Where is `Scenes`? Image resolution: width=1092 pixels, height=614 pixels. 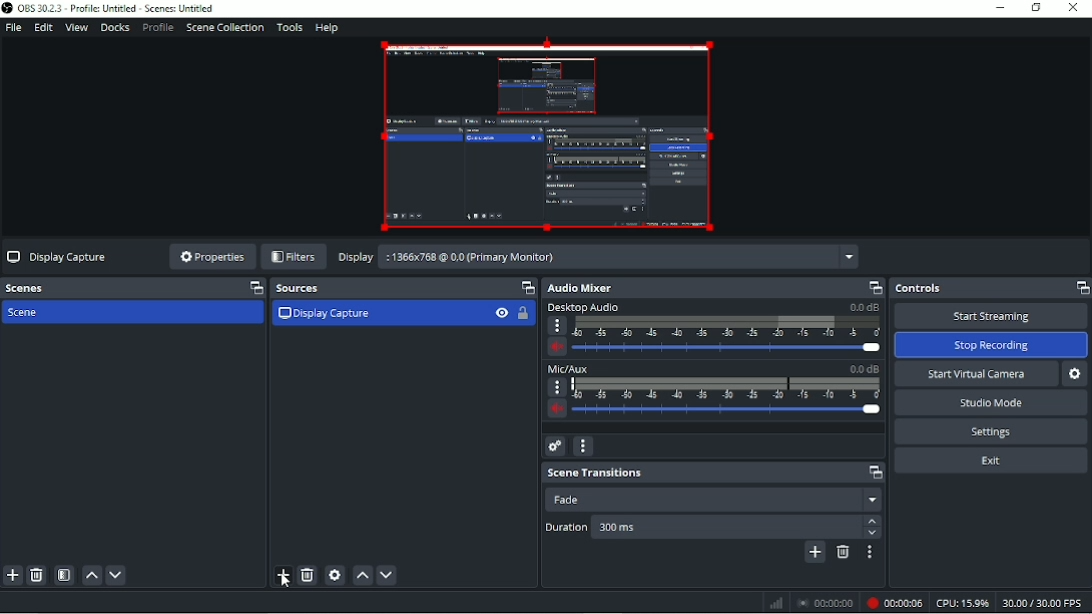 Scenes is located at coordinates (134, 287).